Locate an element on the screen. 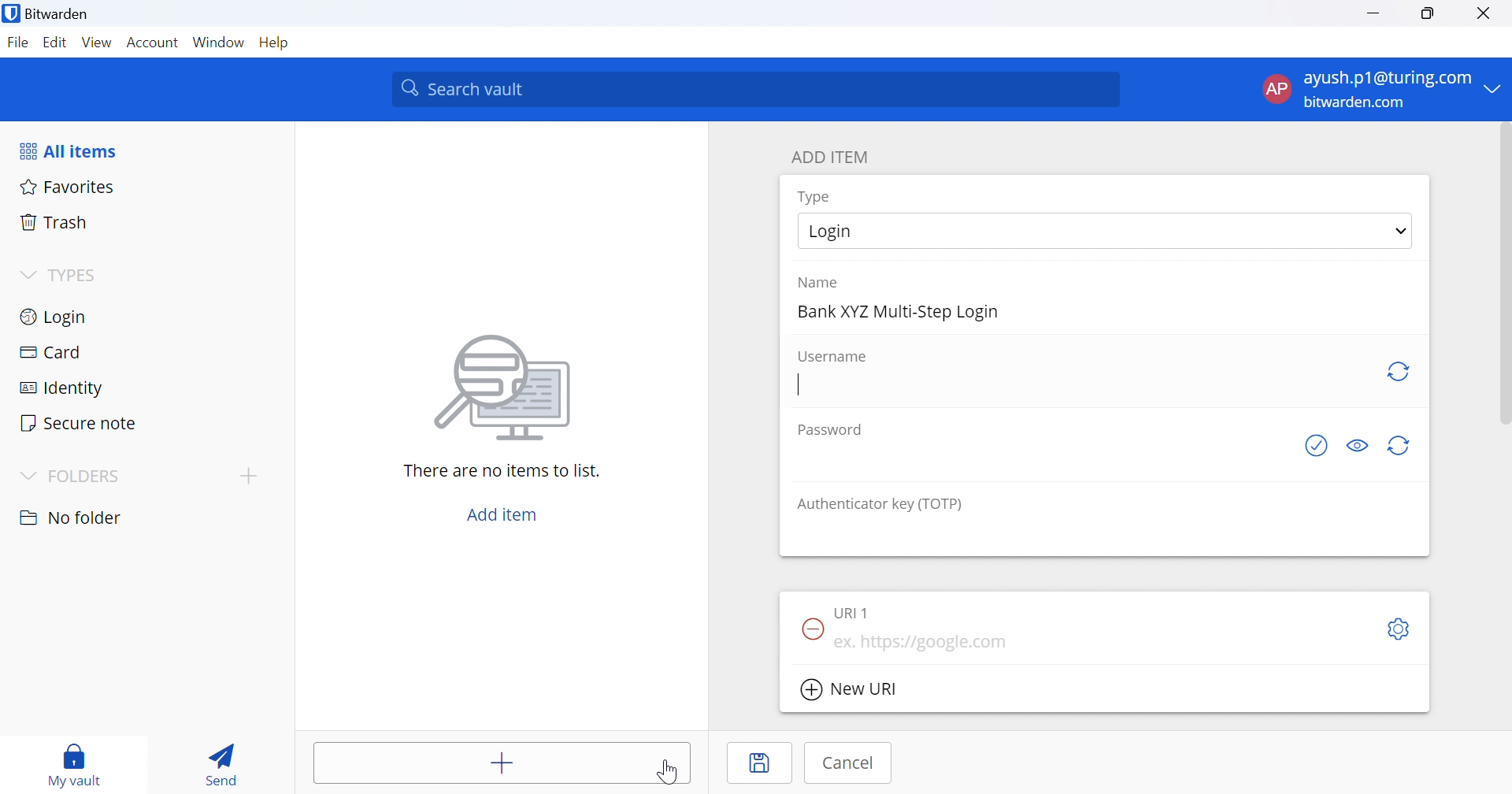  Username is located at coordinates (834, 357).